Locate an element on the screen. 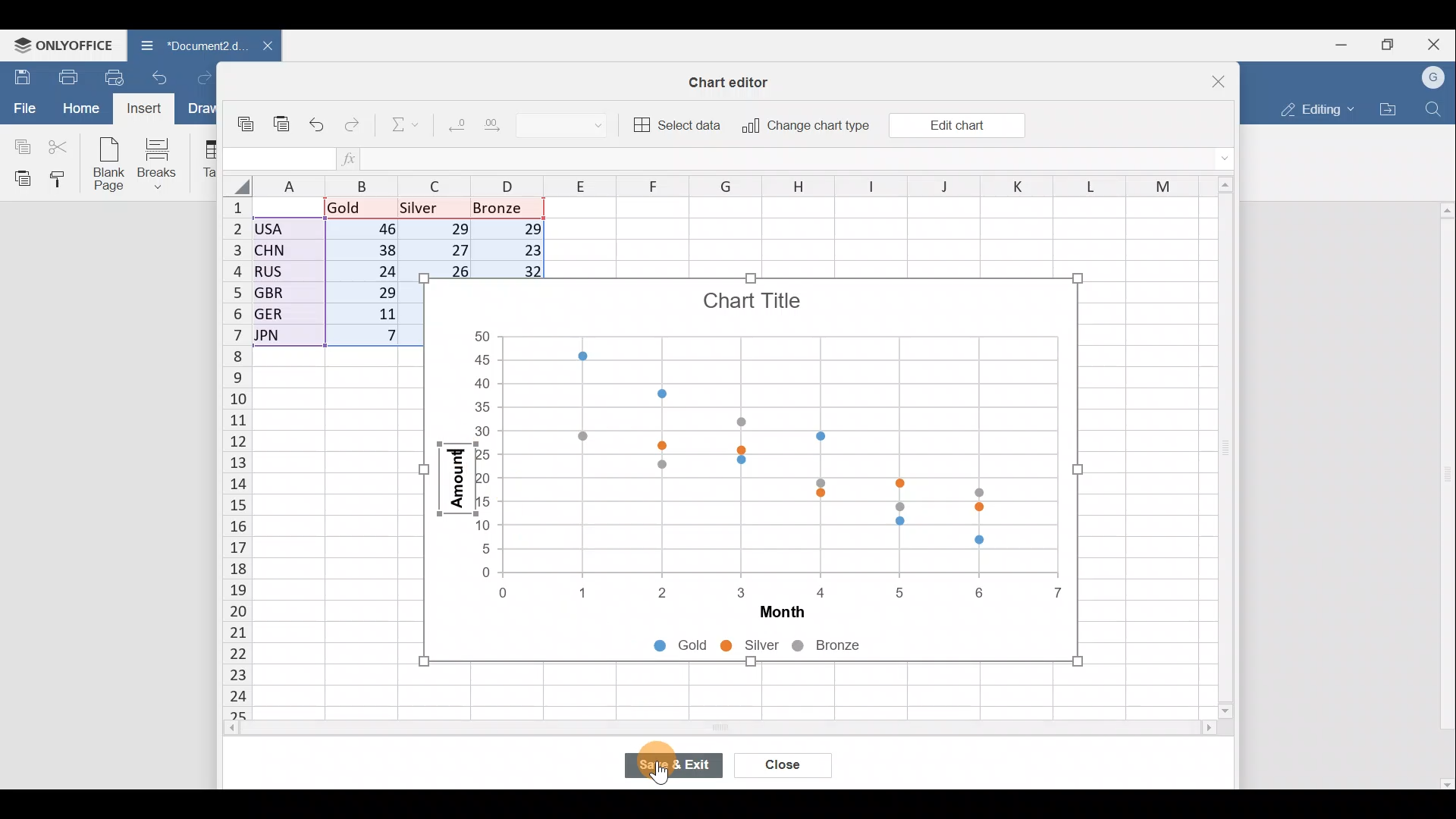 The image size is (1456, 819). Print file is located at coordinates (64, 76).